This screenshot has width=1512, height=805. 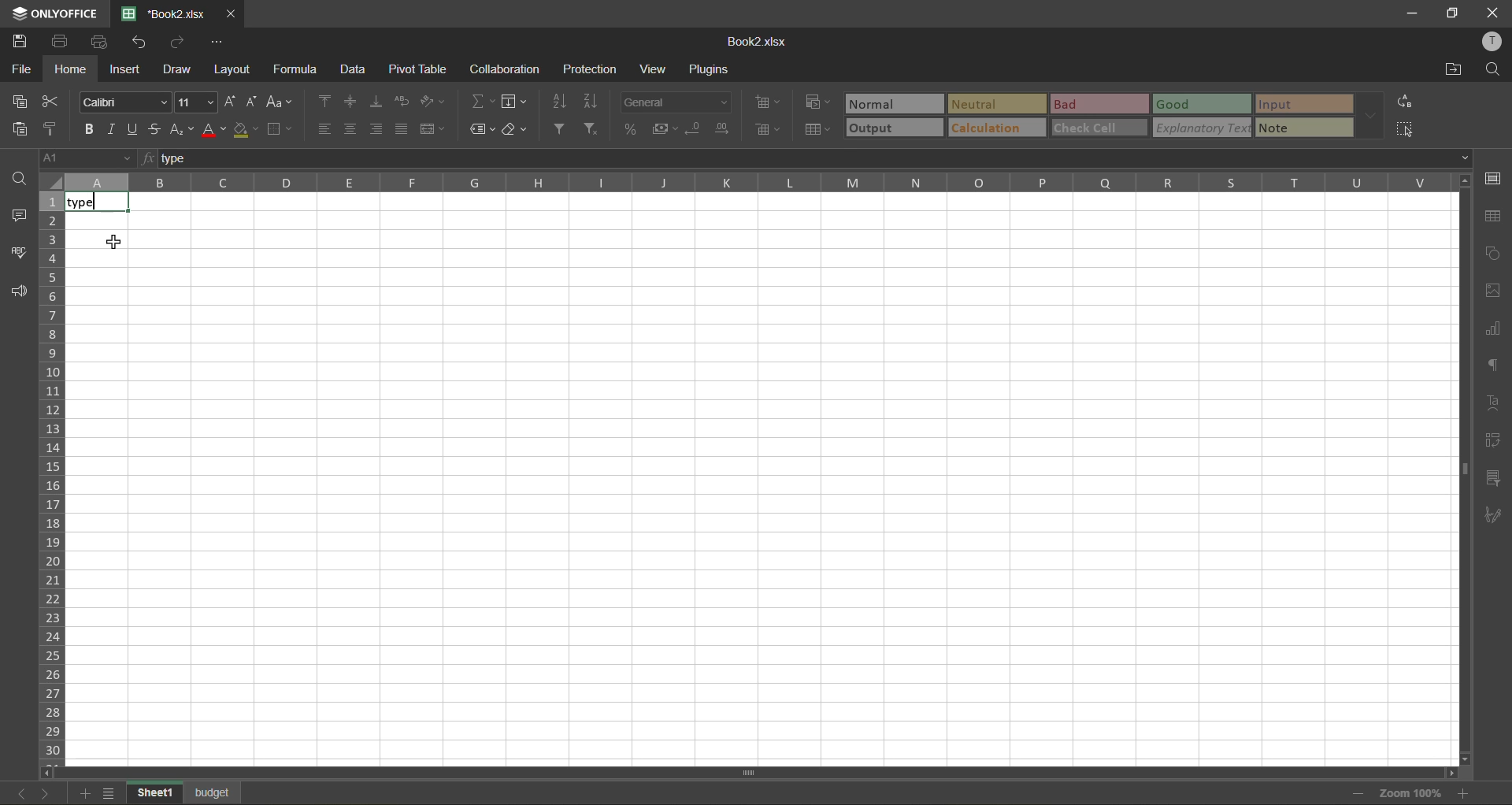 I want to click on save, so click(x=20, y=42).